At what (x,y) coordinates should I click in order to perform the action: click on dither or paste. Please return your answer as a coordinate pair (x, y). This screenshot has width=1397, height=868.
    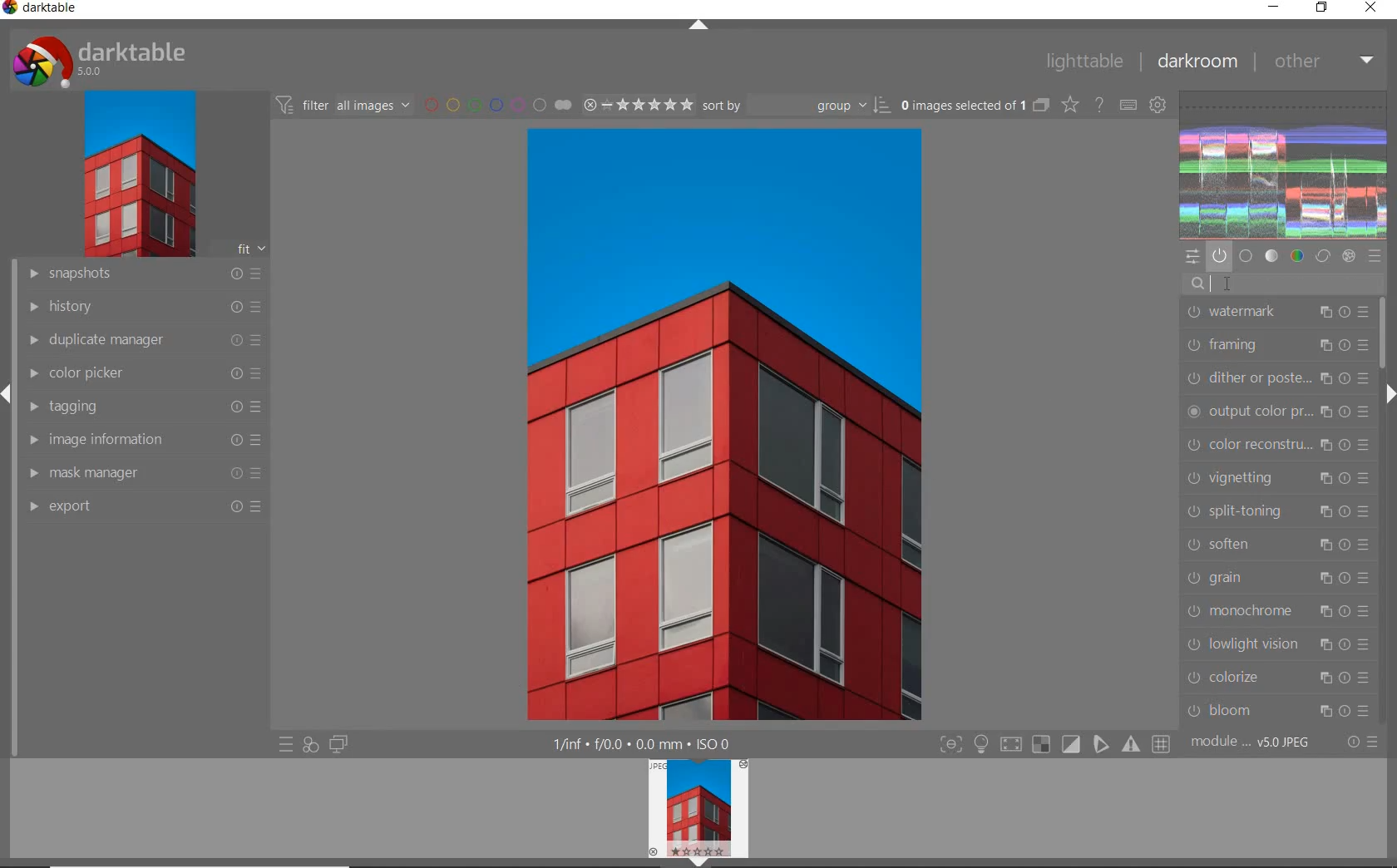
    Looking at the image, I should click on (1278, 379).